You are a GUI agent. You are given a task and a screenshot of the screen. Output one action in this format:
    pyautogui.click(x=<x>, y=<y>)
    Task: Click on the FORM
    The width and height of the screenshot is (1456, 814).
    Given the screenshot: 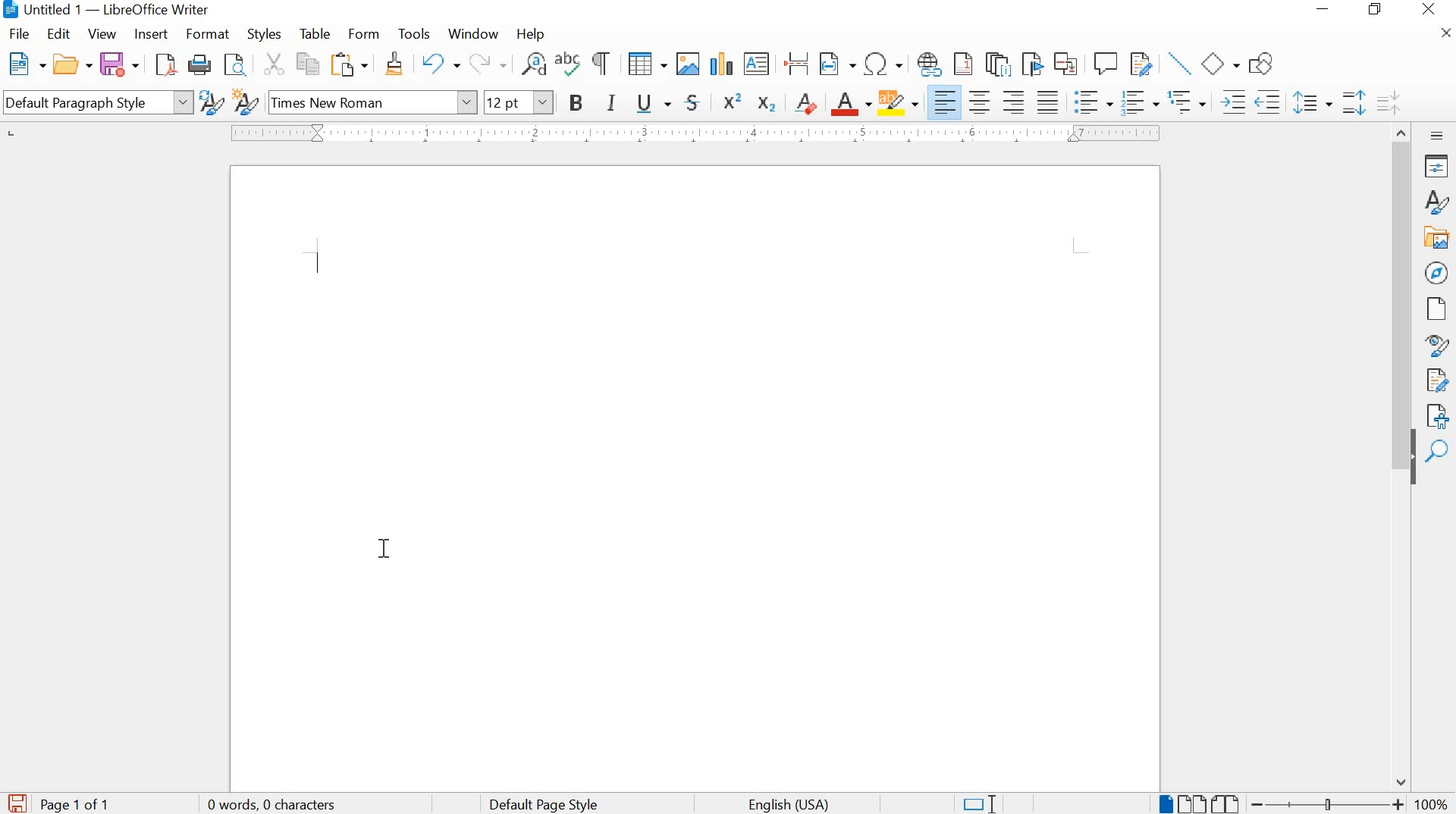 What is the action you would take?
    pyautogui.click(x=363, y=34)
    